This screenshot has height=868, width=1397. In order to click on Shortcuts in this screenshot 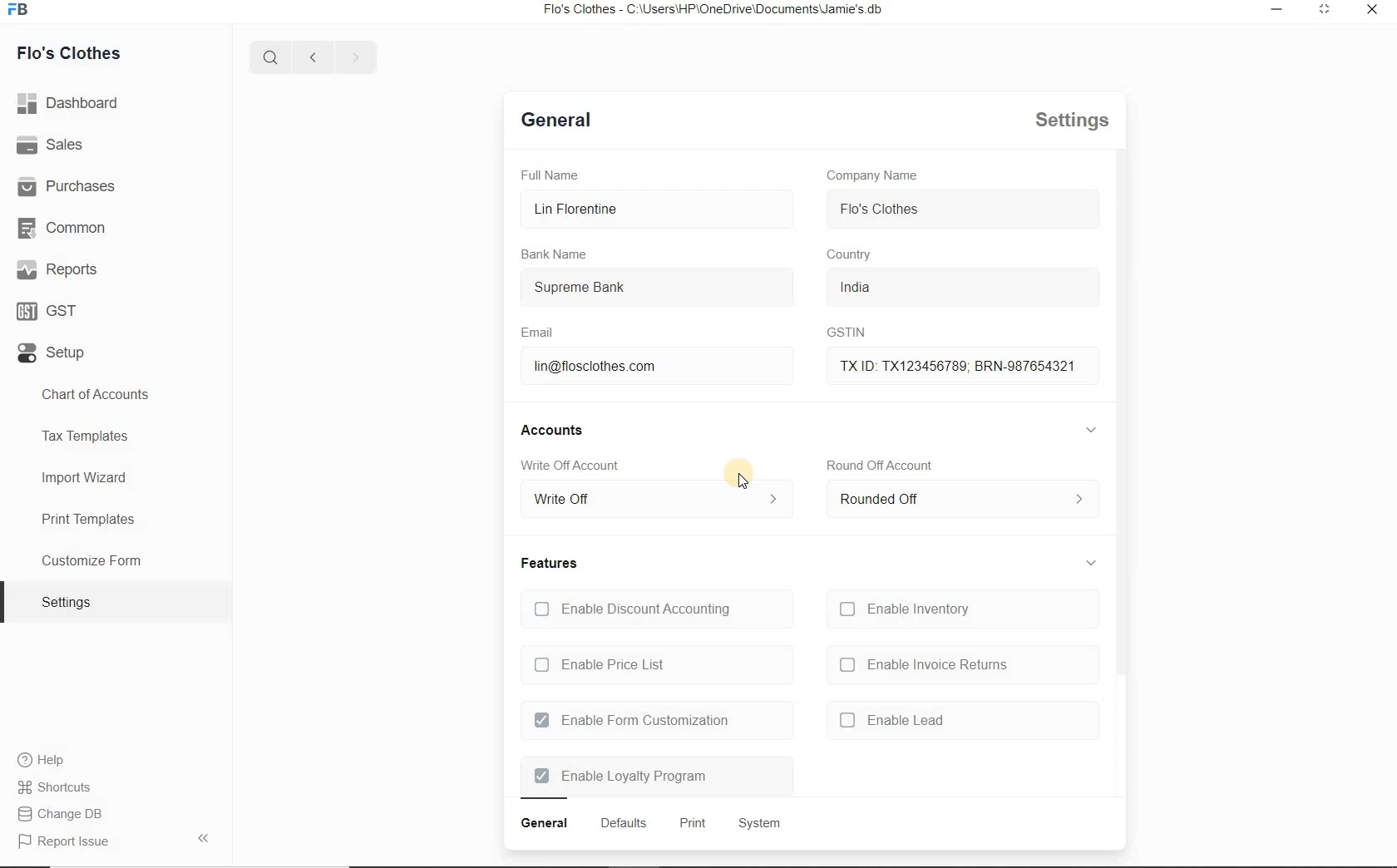, I will do `click(56, 787)`.